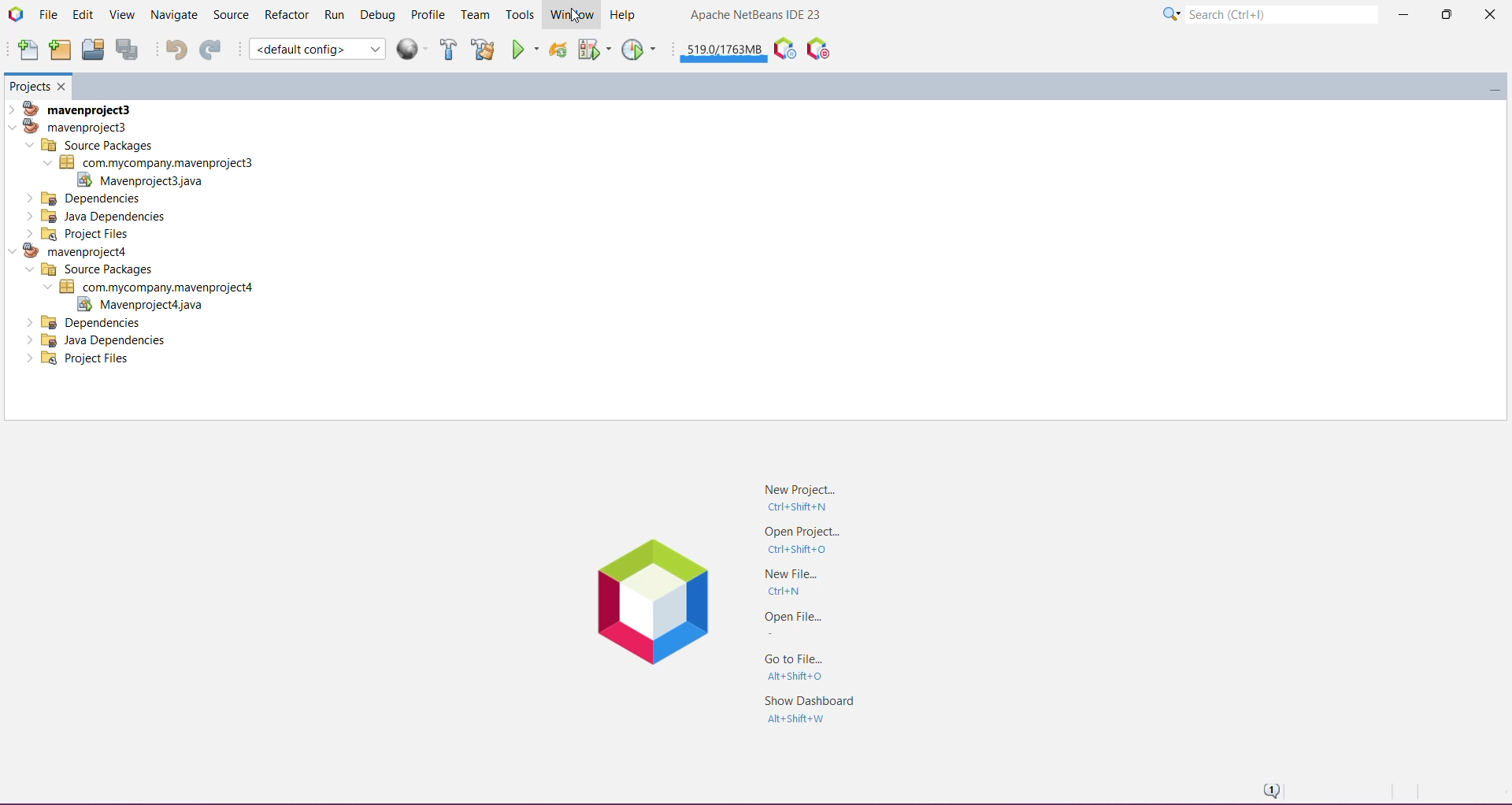 The image size is (1512, 805). What do you see at coordinates (91, 145) in the screenshot?
I see `Source Packages` at bounding box center [91, 145].